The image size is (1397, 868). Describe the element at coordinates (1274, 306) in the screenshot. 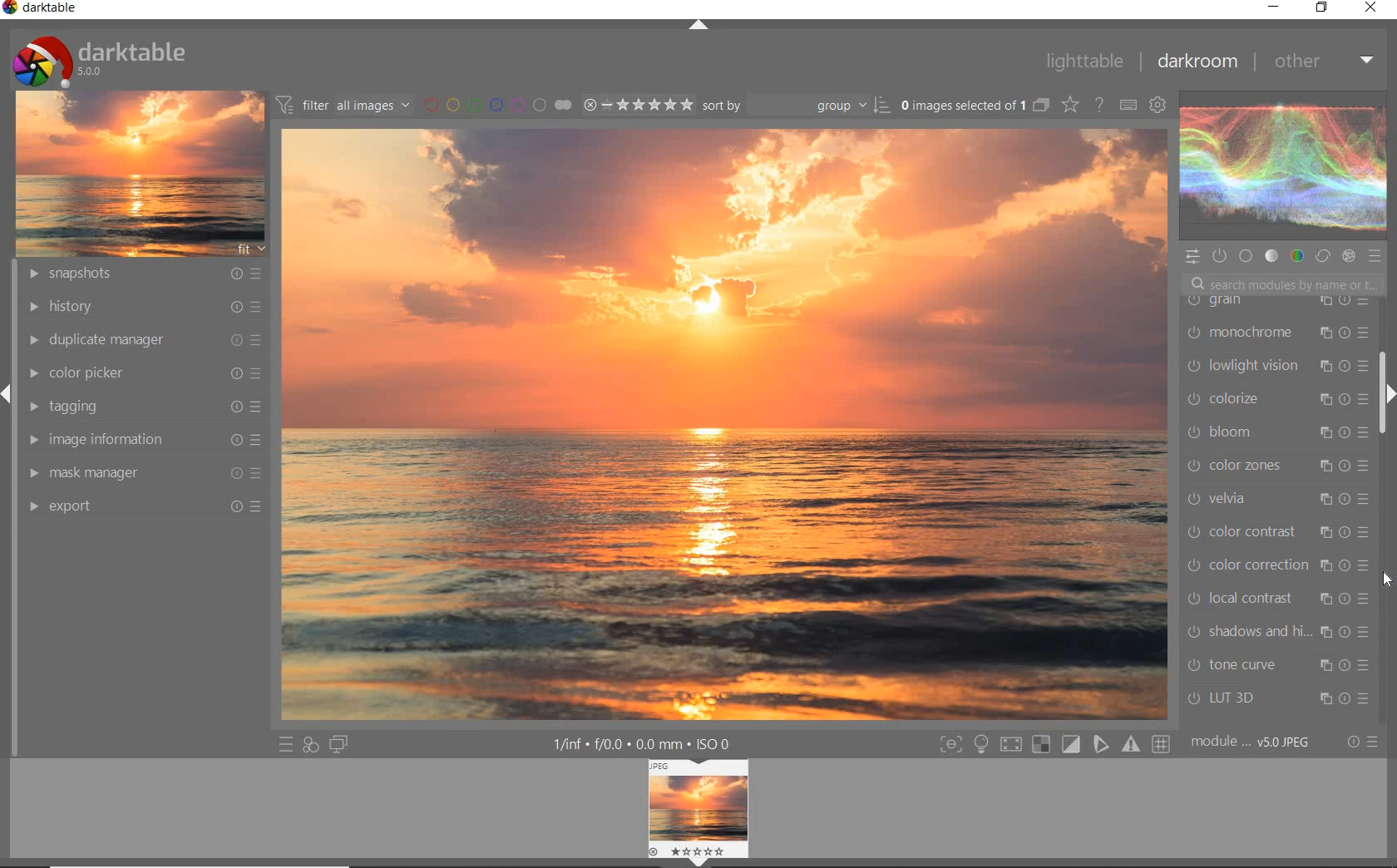

I see `grain` at that location.